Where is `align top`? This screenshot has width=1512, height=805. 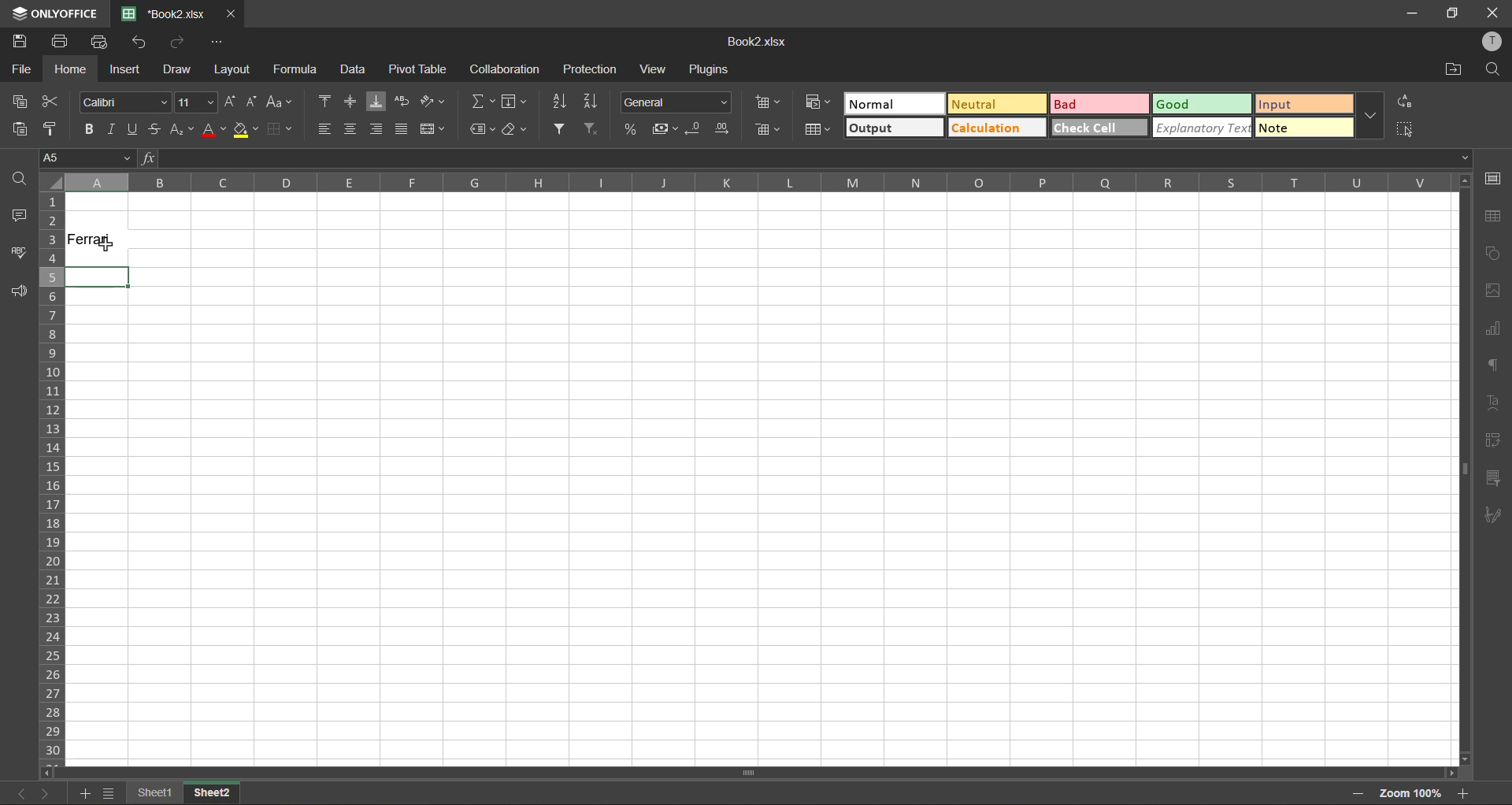
align top is located at coordinates (323, 101).